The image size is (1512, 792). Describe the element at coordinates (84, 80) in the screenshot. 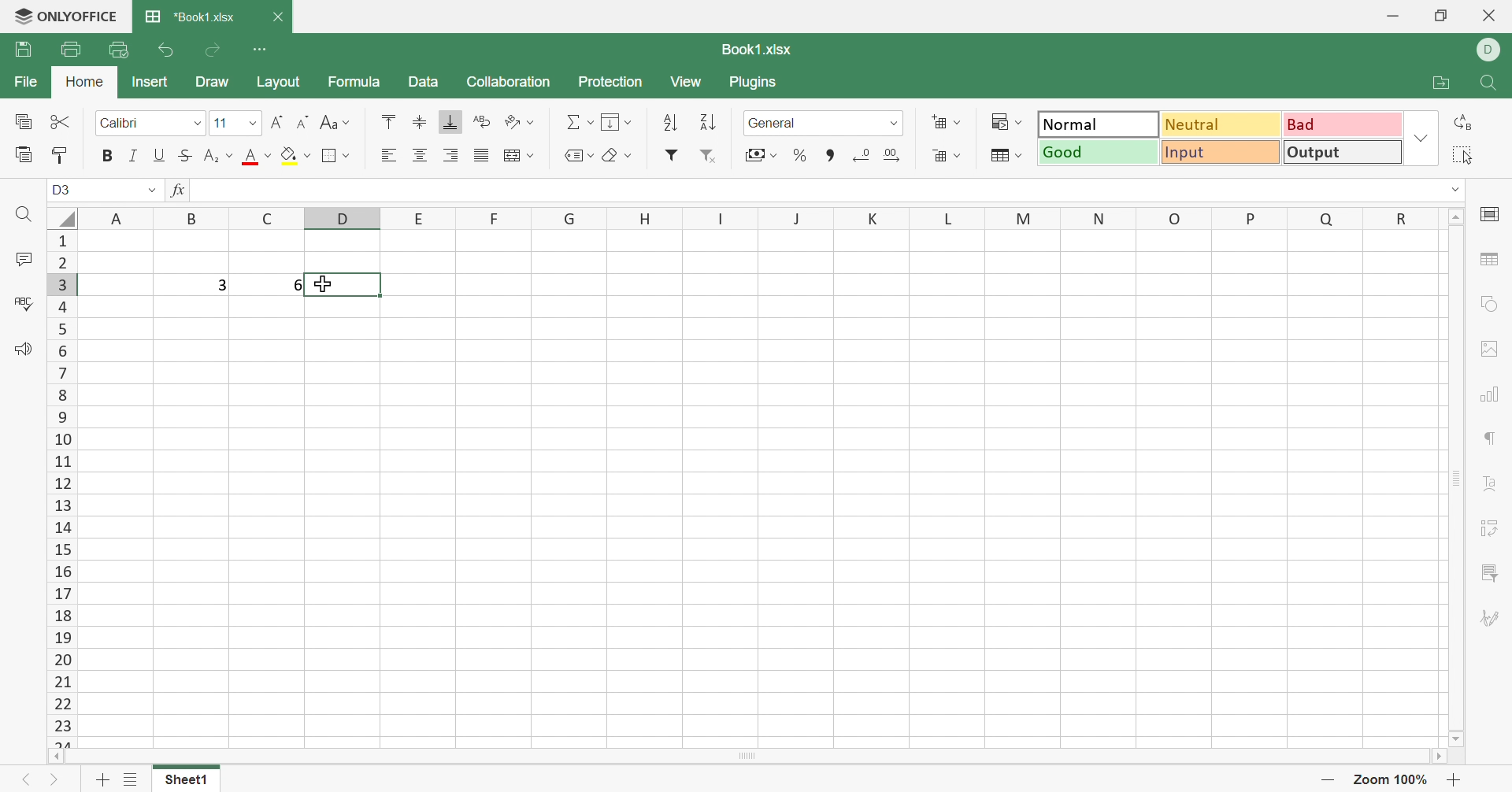

I see `Home` at that location.